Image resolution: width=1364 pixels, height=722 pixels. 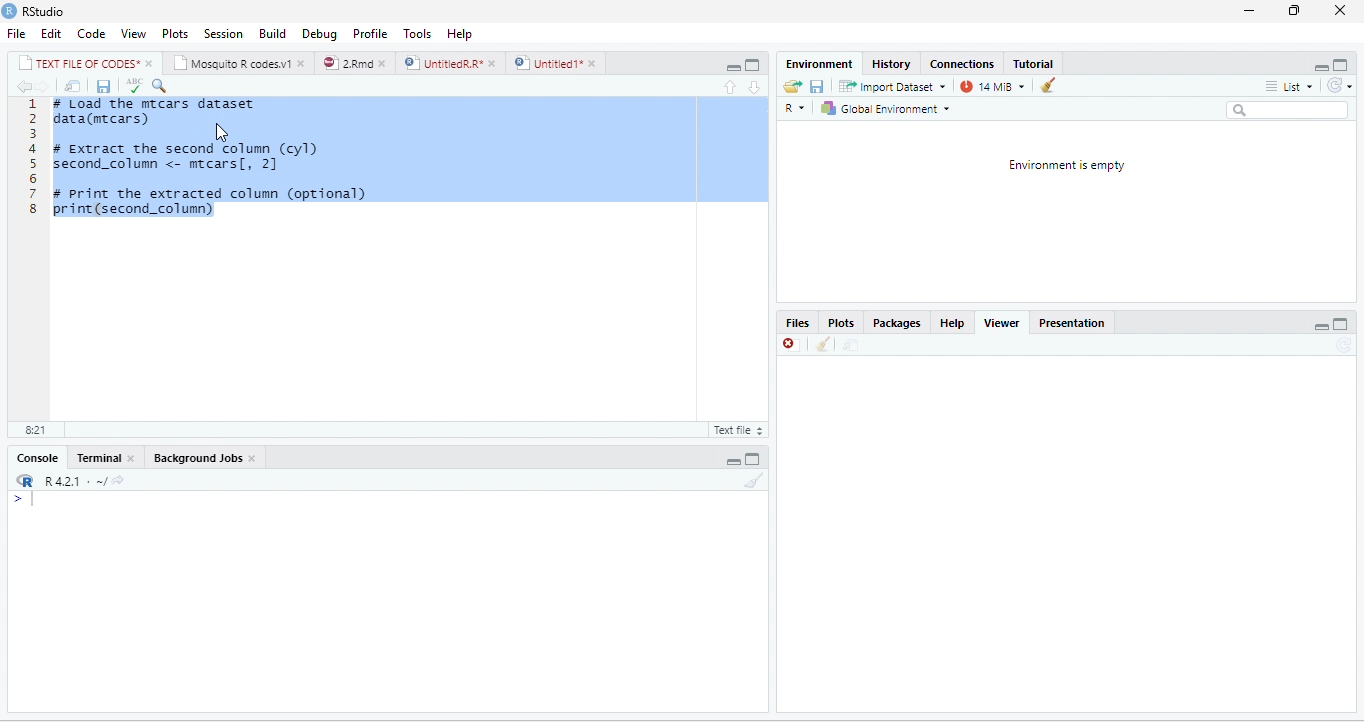 I want to click on  Import Dataset , so click(x=893, y=86).